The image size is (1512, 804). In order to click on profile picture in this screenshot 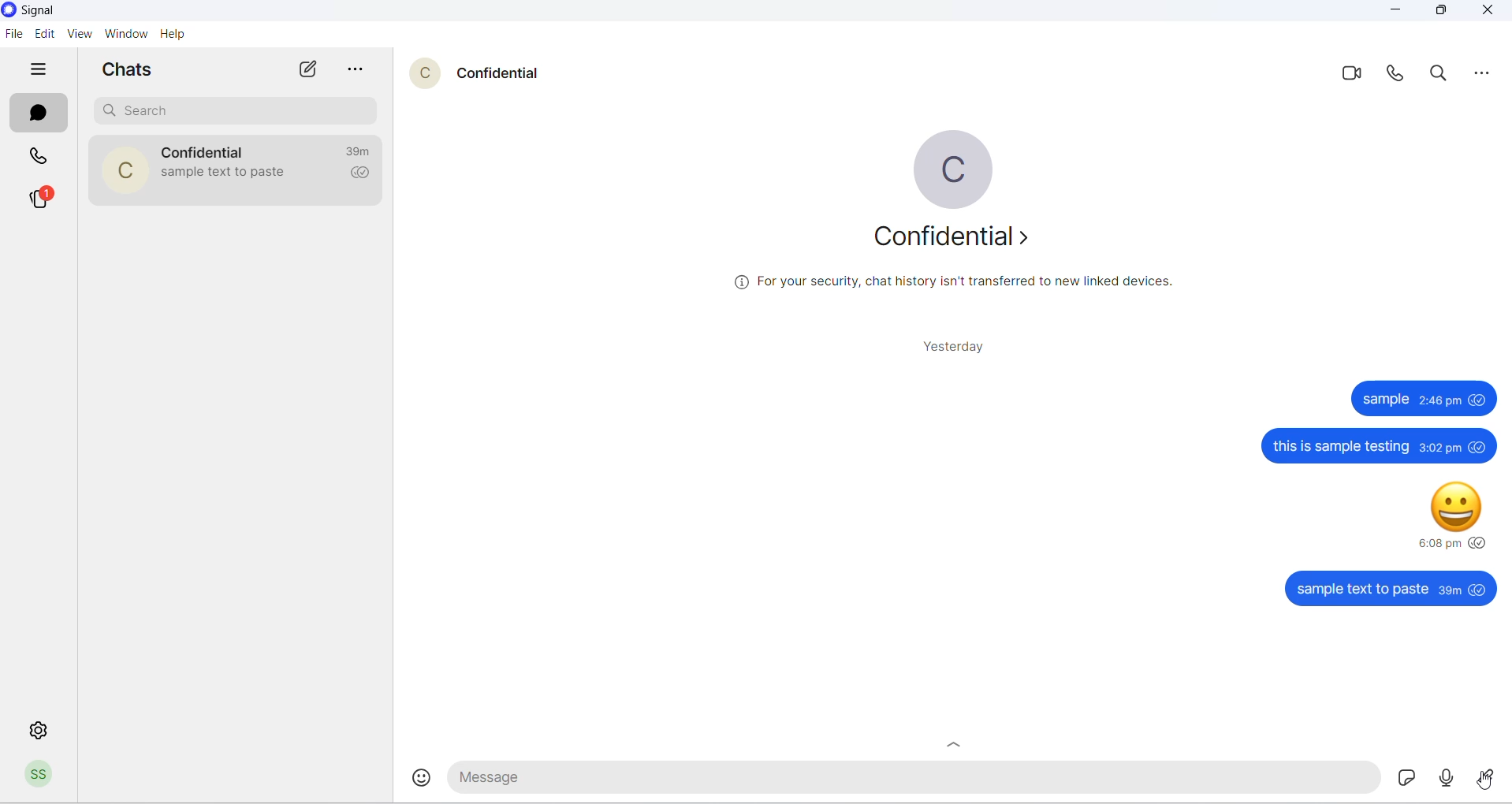, I will do `click(117, 171)`.